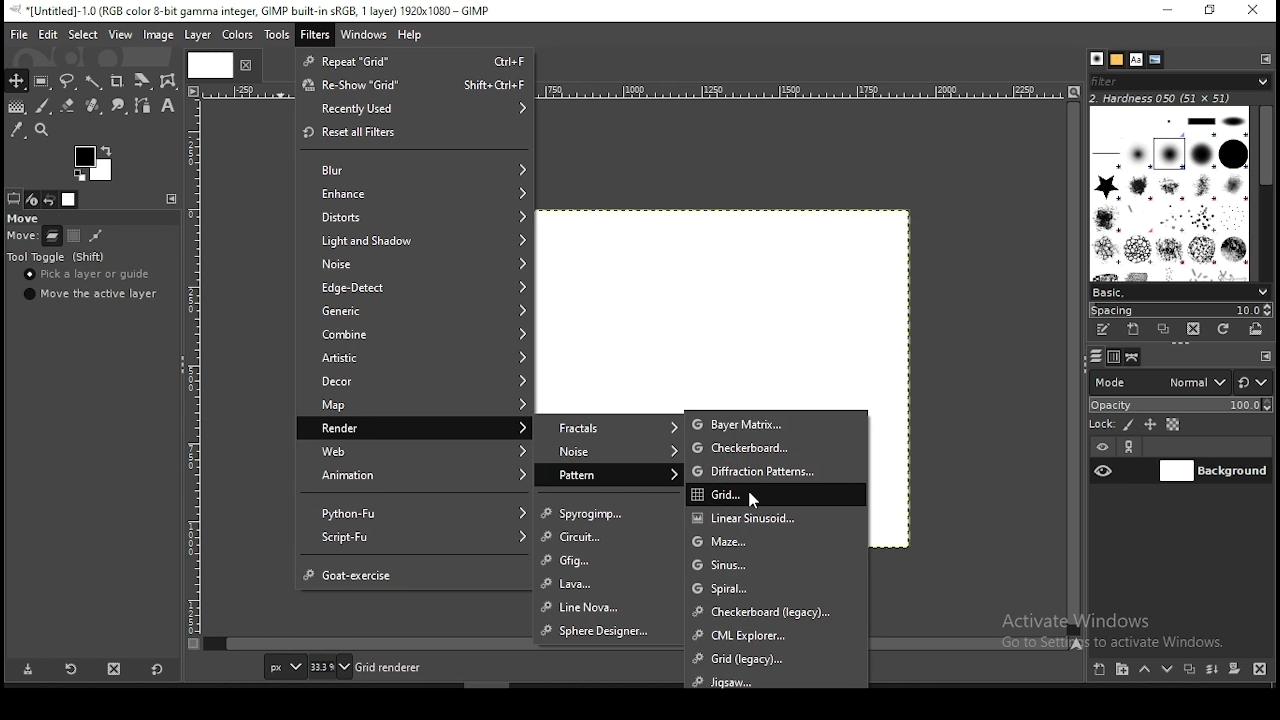 The width and height of the screenshot is (1280, 720). I want to click on images, so click(70, 200).